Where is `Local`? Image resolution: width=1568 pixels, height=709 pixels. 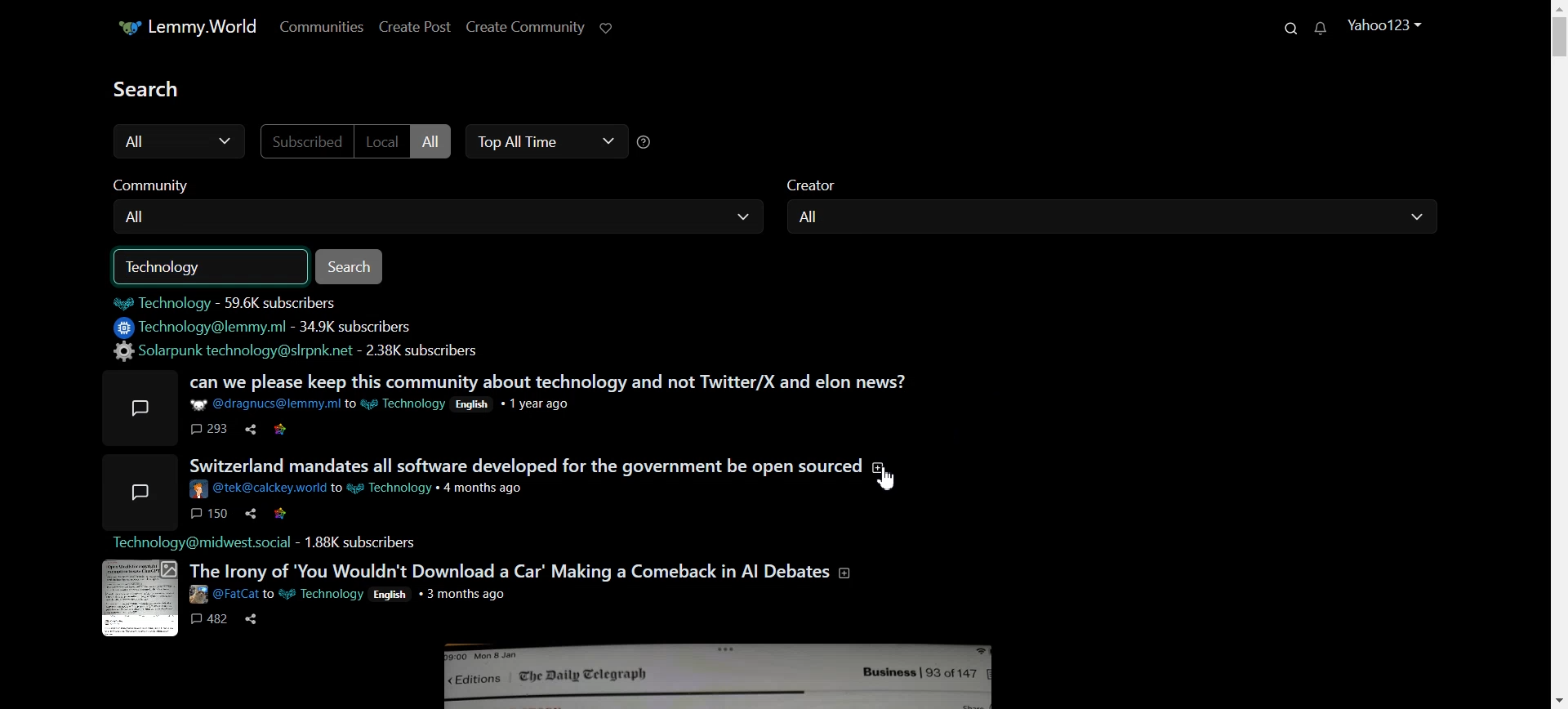
Local is located at coordinates (385, 141).